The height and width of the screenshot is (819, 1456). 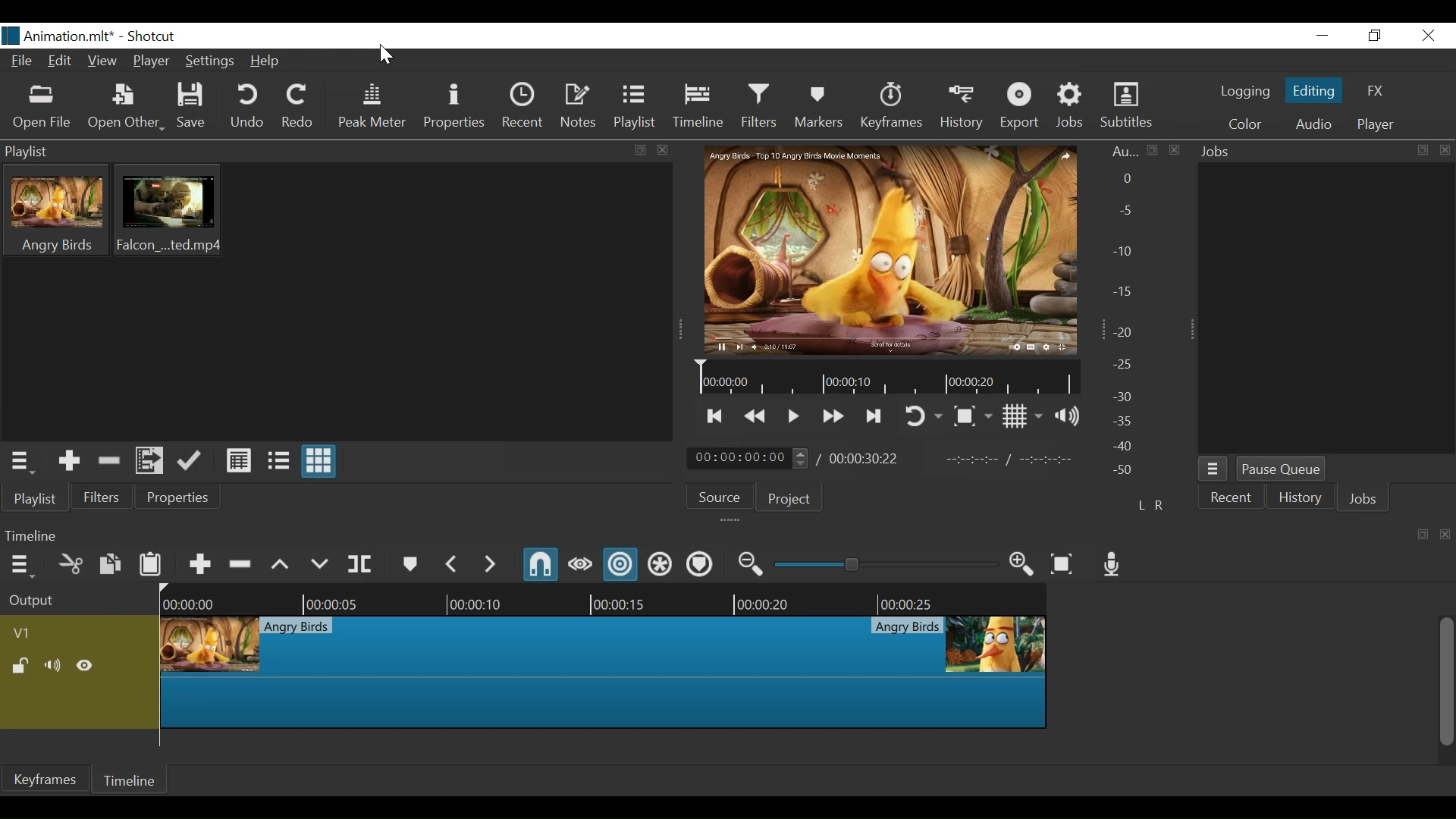 I want to click on Timeline, so click(x=700, y=107).